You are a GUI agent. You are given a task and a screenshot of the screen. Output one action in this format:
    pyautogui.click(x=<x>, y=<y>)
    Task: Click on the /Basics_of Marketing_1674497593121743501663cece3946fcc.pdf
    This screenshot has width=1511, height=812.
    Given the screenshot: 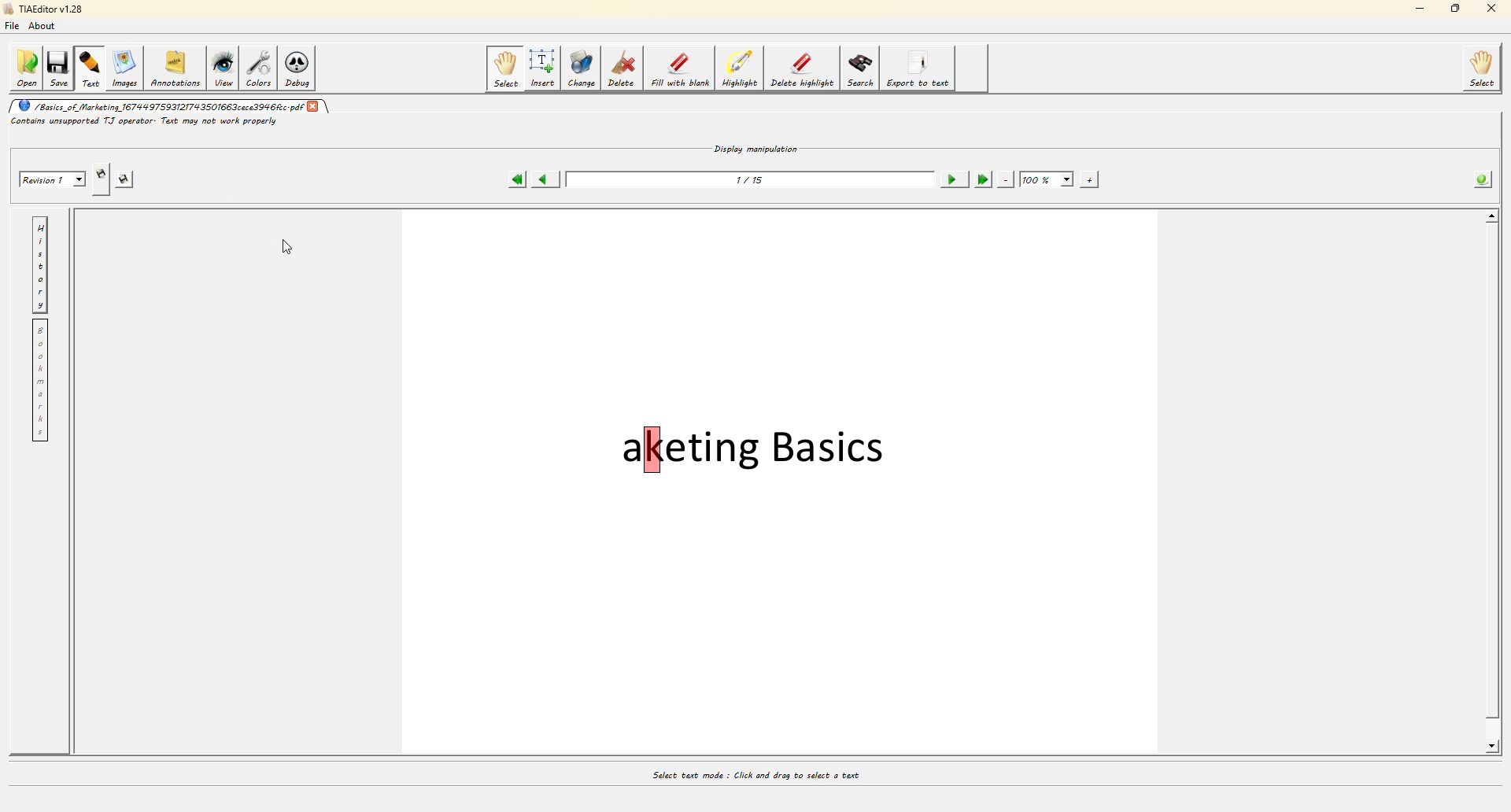 What is the action you would take?
    pyautogui.click(x=160, y=105)
    